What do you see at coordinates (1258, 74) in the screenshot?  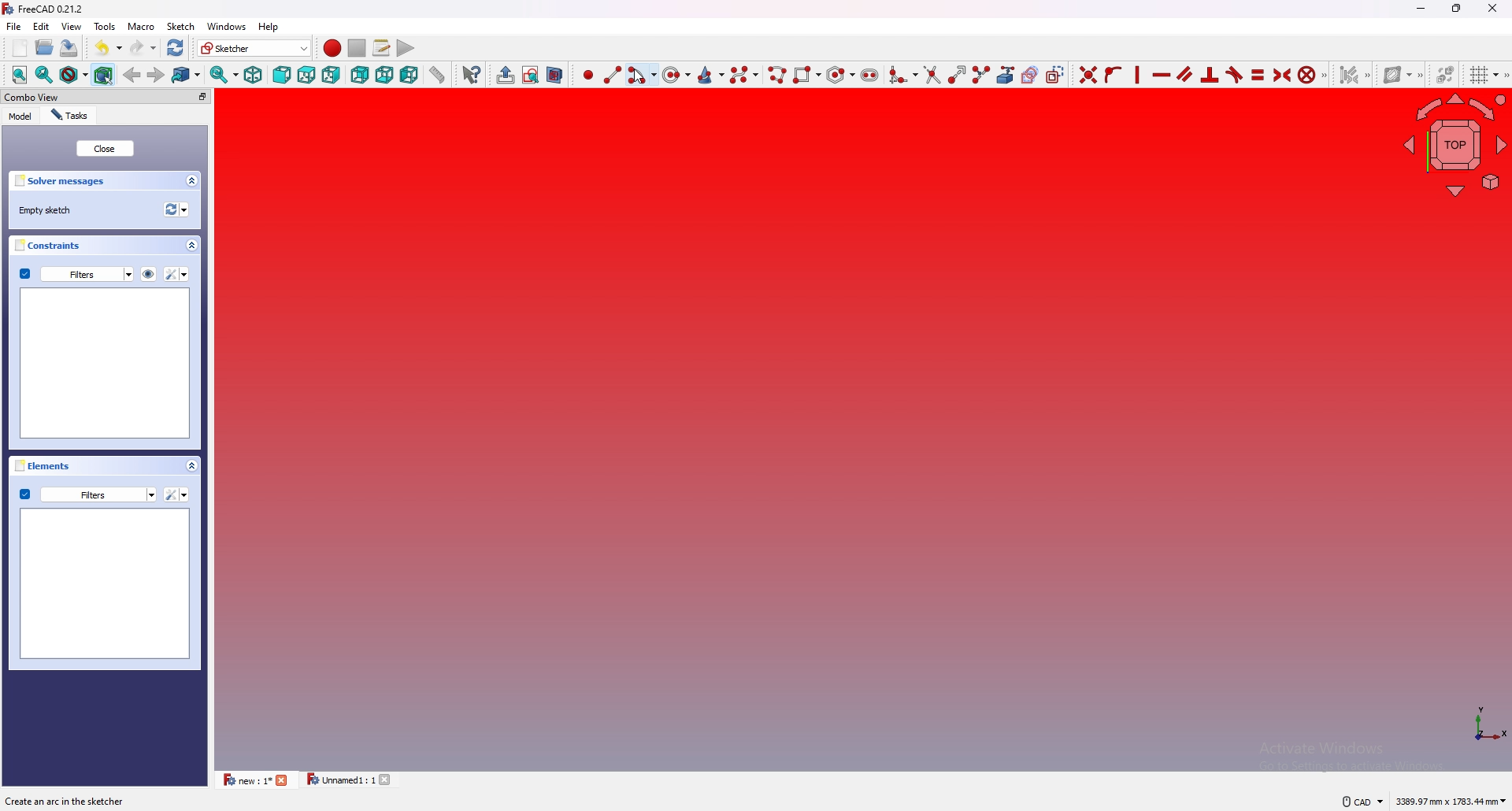 I see `constrain equal` at bounding box center [1258, 74].